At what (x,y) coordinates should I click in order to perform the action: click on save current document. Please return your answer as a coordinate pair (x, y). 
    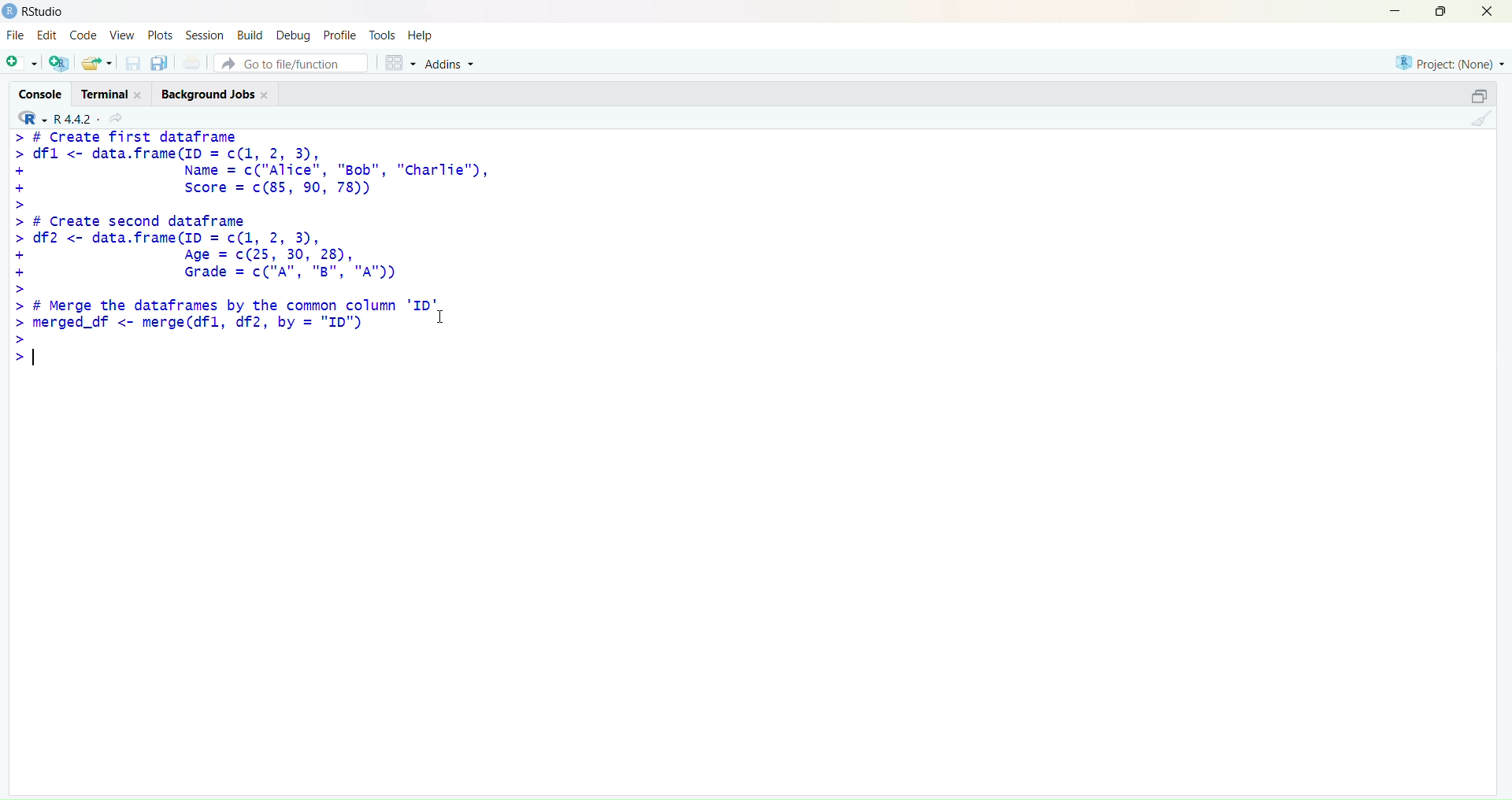
    Looking at the image, I should click on (133, 64).